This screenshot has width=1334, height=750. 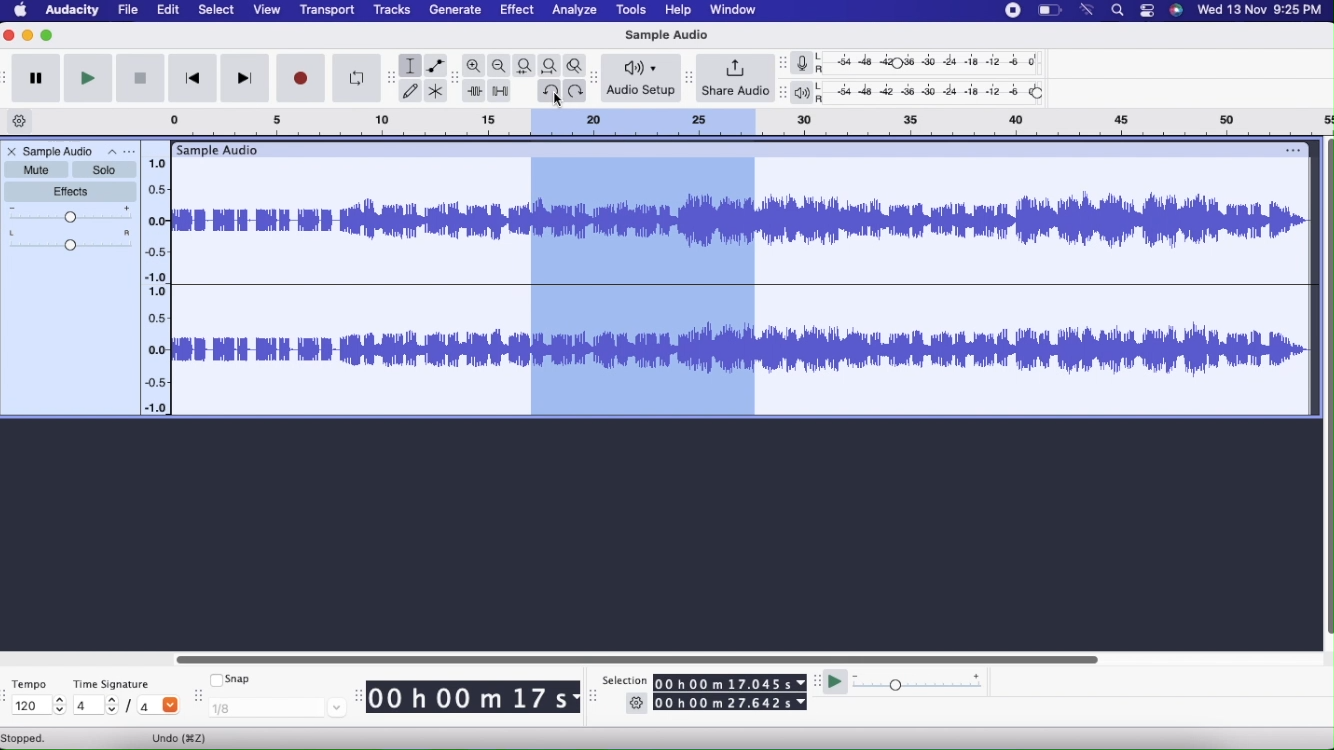 What do you see at coordinates (781, 92) in the screenshot?
I see `move toolbar` at bounding box center [781, 92].